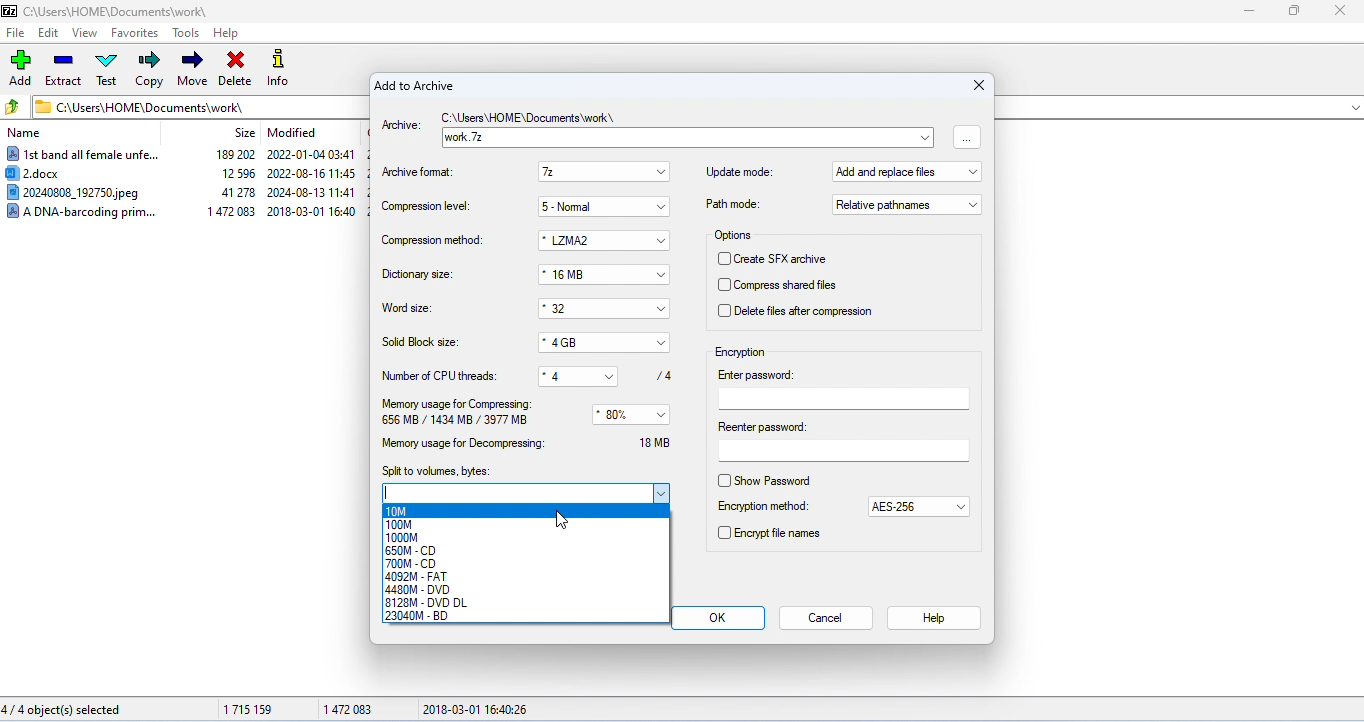 This screenshot has height=722, width=1364. What do you see at coordinates (399, 524) in the screenshot?
I see `100M` at bounding box center [399, 524].